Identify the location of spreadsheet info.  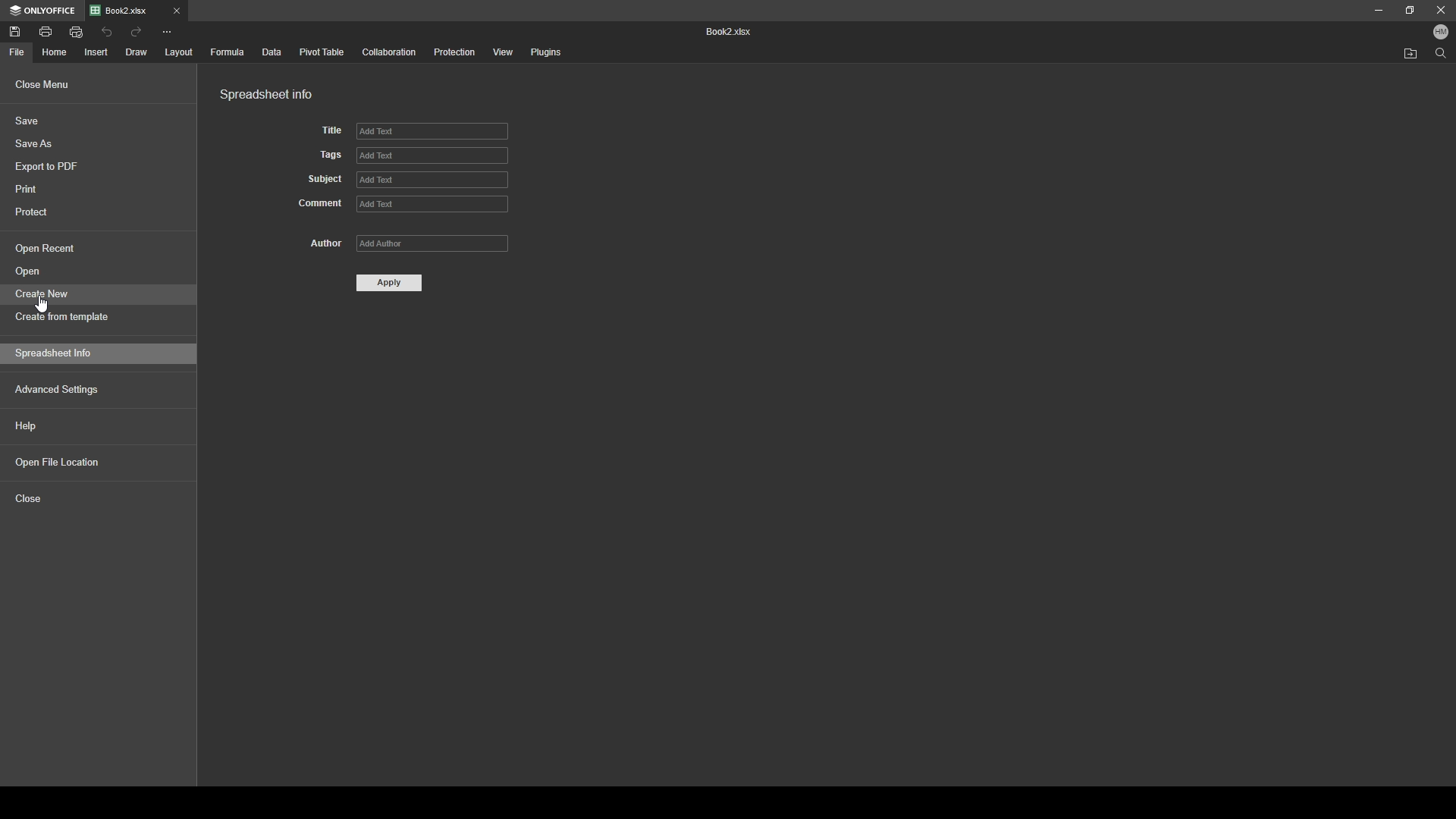
(101, 355).